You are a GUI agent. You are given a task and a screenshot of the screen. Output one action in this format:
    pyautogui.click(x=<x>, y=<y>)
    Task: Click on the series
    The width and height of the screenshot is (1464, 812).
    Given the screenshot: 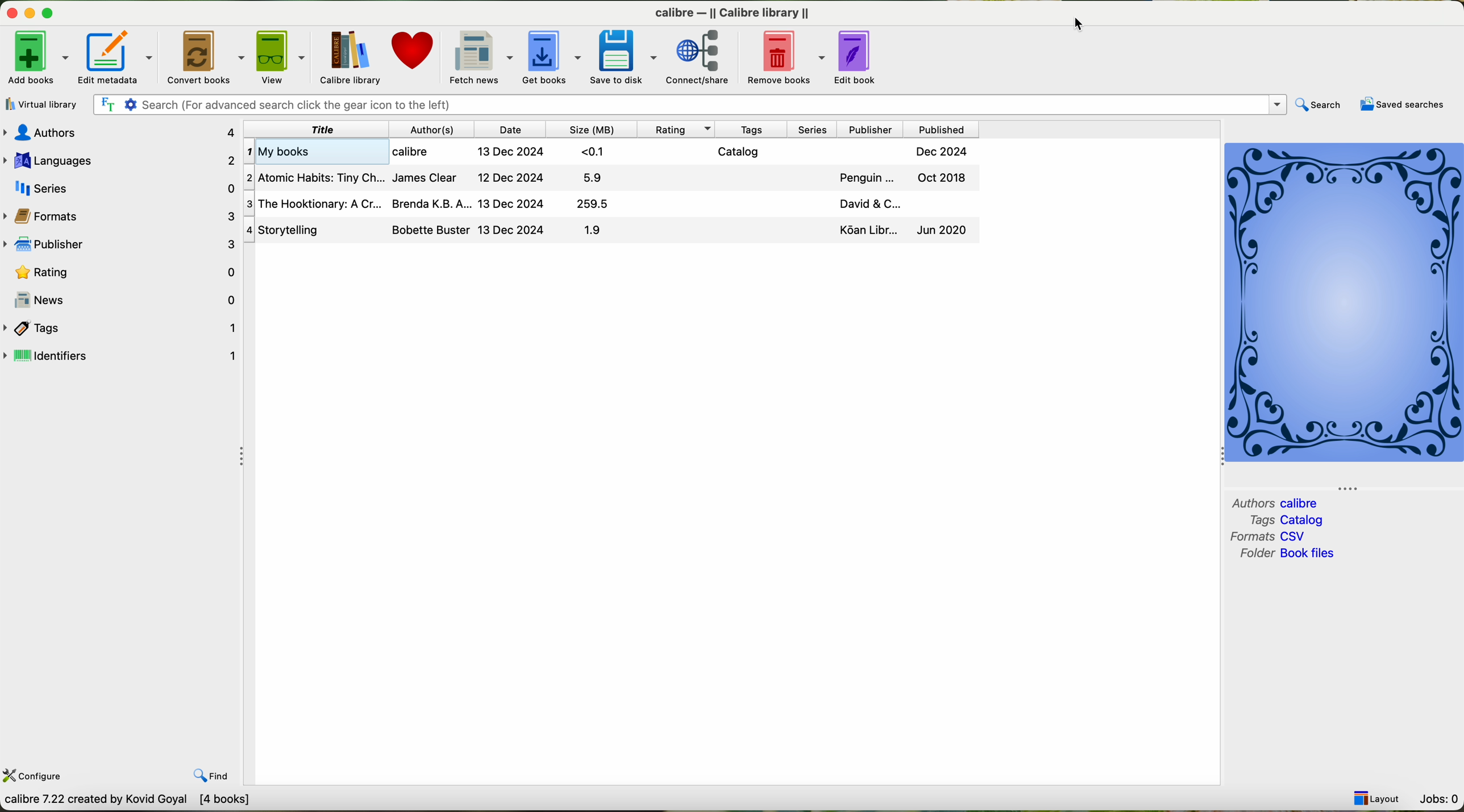 What is the action you would take?
    pyautogui.click(x=121, y=189)
    